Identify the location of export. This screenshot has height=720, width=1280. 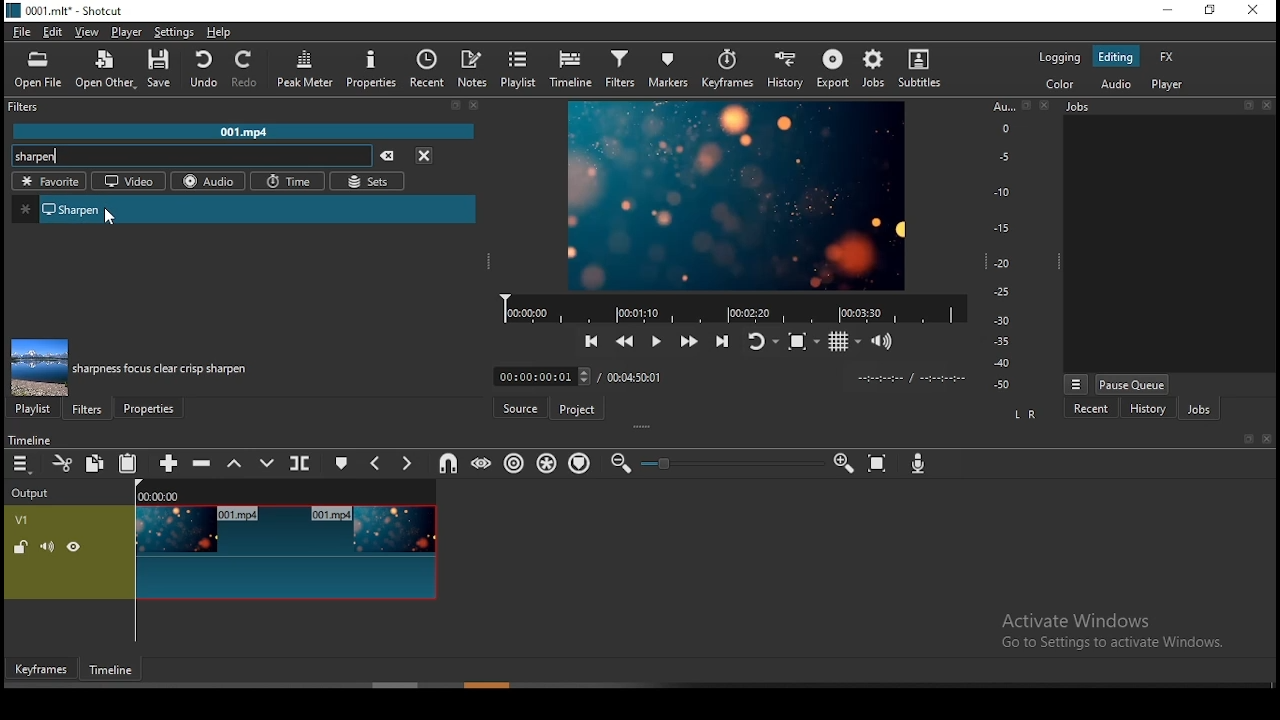
(832, 69).